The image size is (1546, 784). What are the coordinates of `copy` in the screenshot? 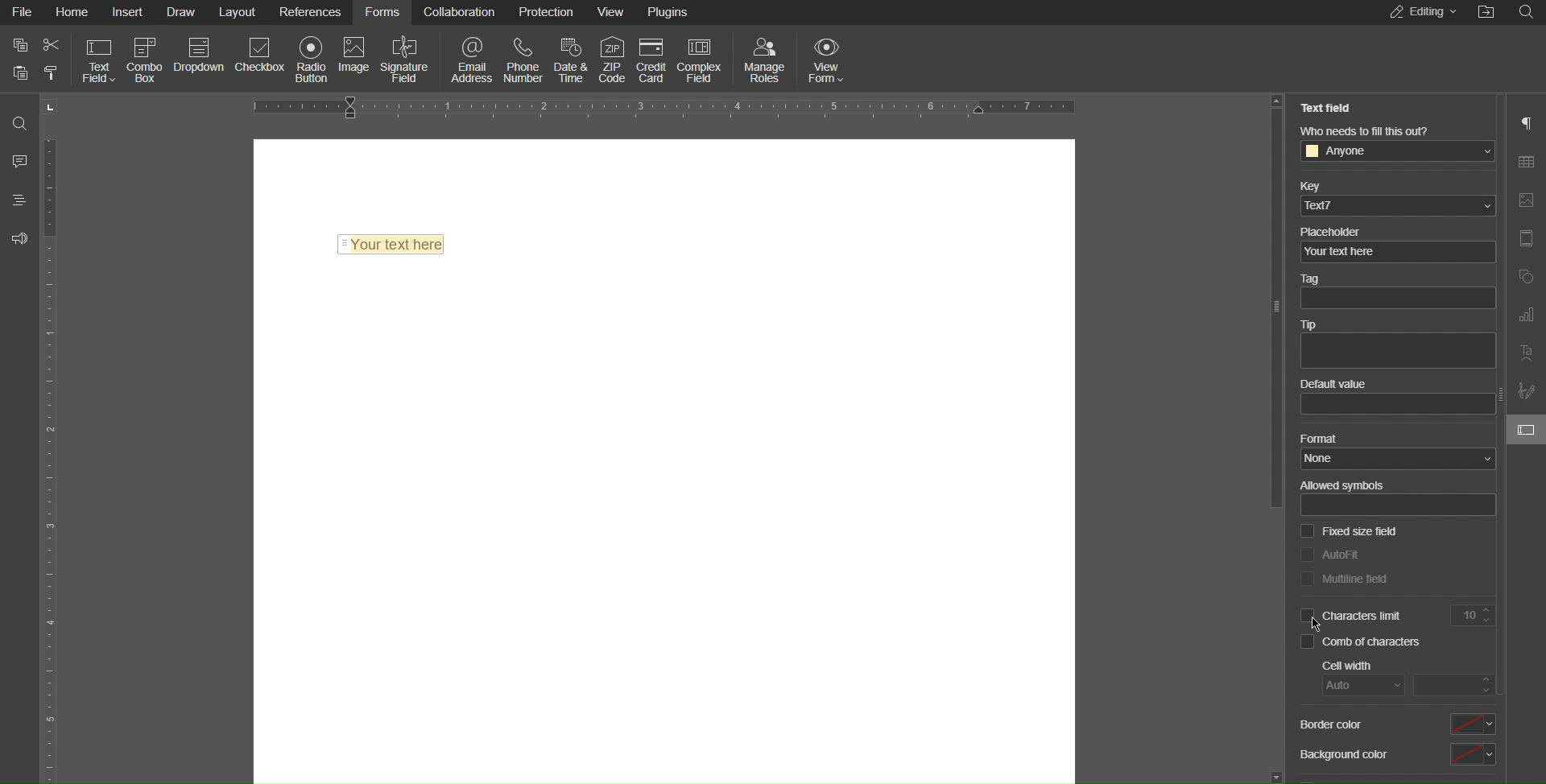 It's located at (19, 45).